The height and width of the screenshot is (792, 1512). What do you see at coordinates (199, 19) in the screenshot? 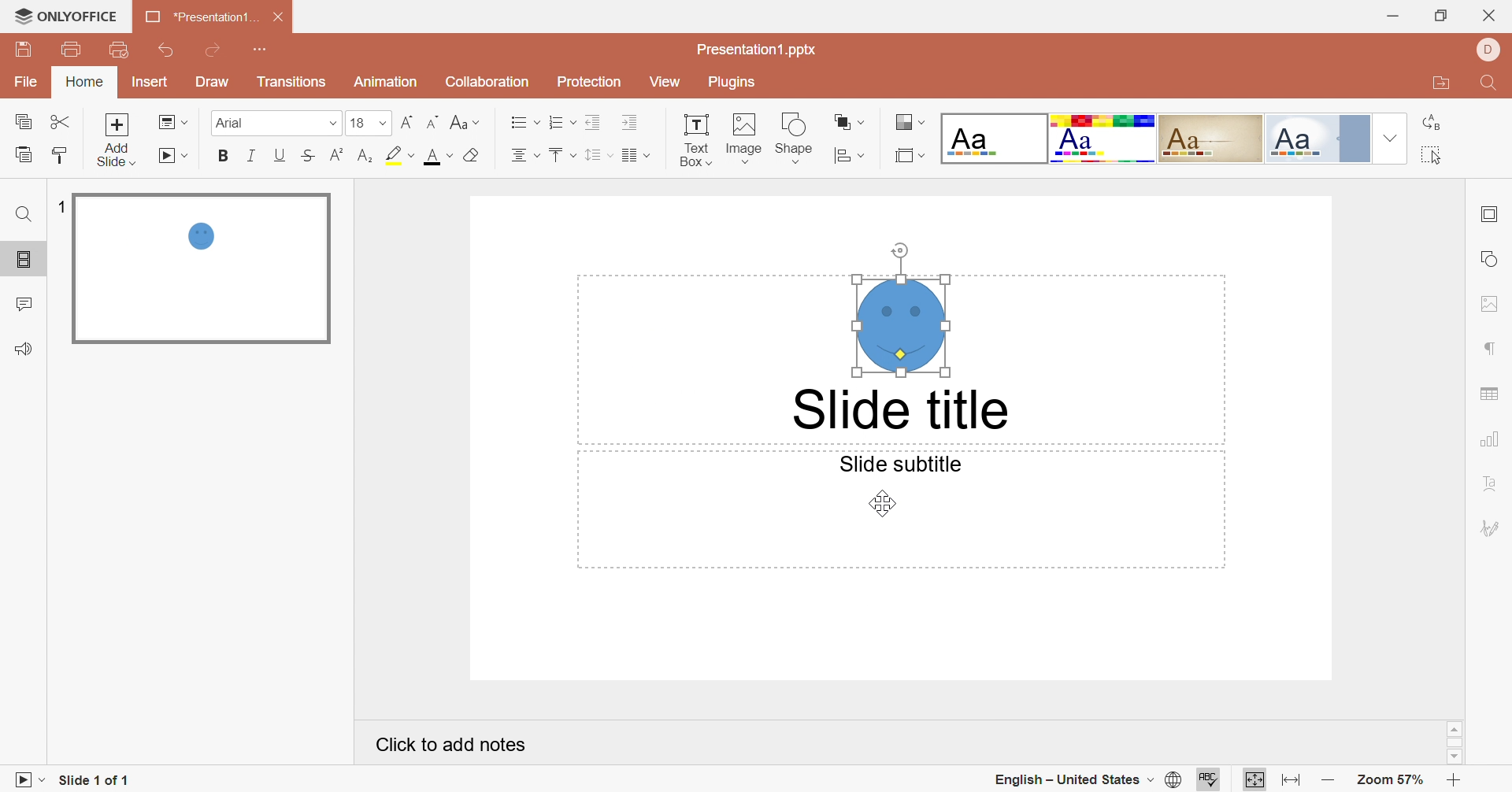
I see `*Presentation1` at bounding box center [199, 19].